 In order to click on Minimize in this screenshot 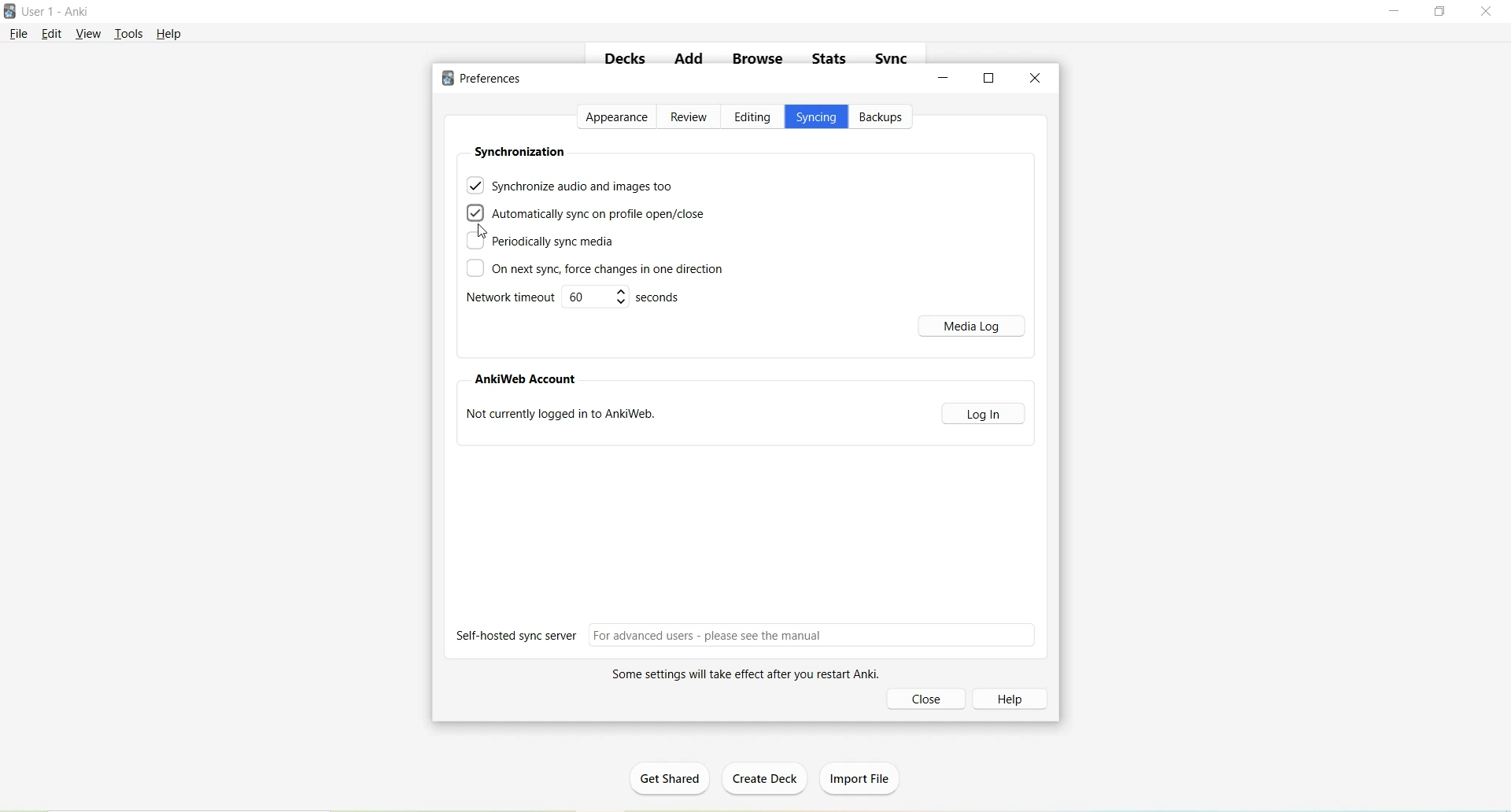, I will do `click(1396, 12)`.